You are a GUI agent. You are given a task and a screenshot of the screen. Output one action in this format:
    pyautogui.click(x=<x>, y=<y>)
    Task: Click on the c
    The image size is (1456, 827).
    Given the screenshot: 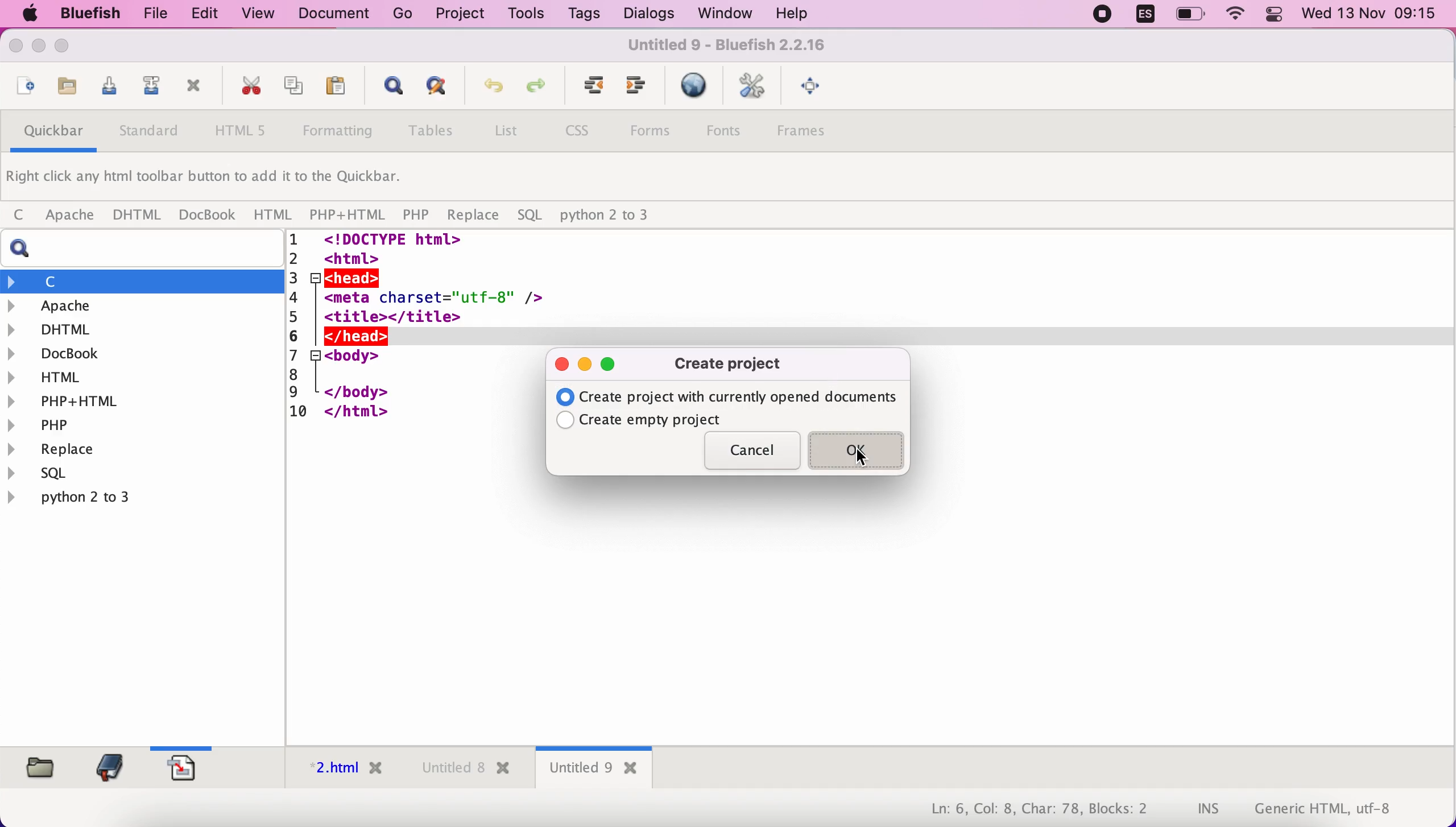 What is the action you would take?
    pyautogui.click(x=18, y=216)
    